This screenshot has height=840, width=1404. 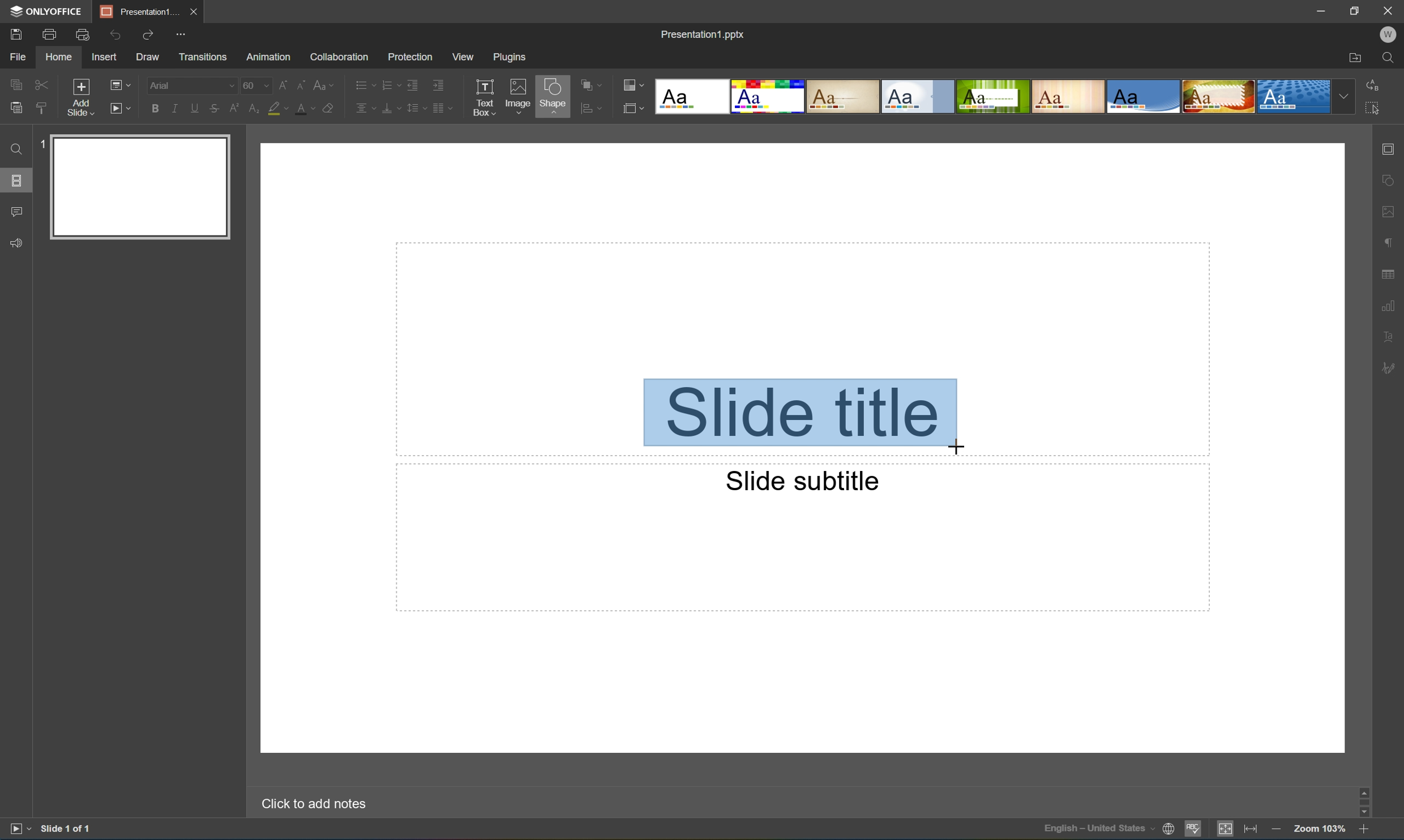 I want to click on image settings, so click(x=1388, y=214).